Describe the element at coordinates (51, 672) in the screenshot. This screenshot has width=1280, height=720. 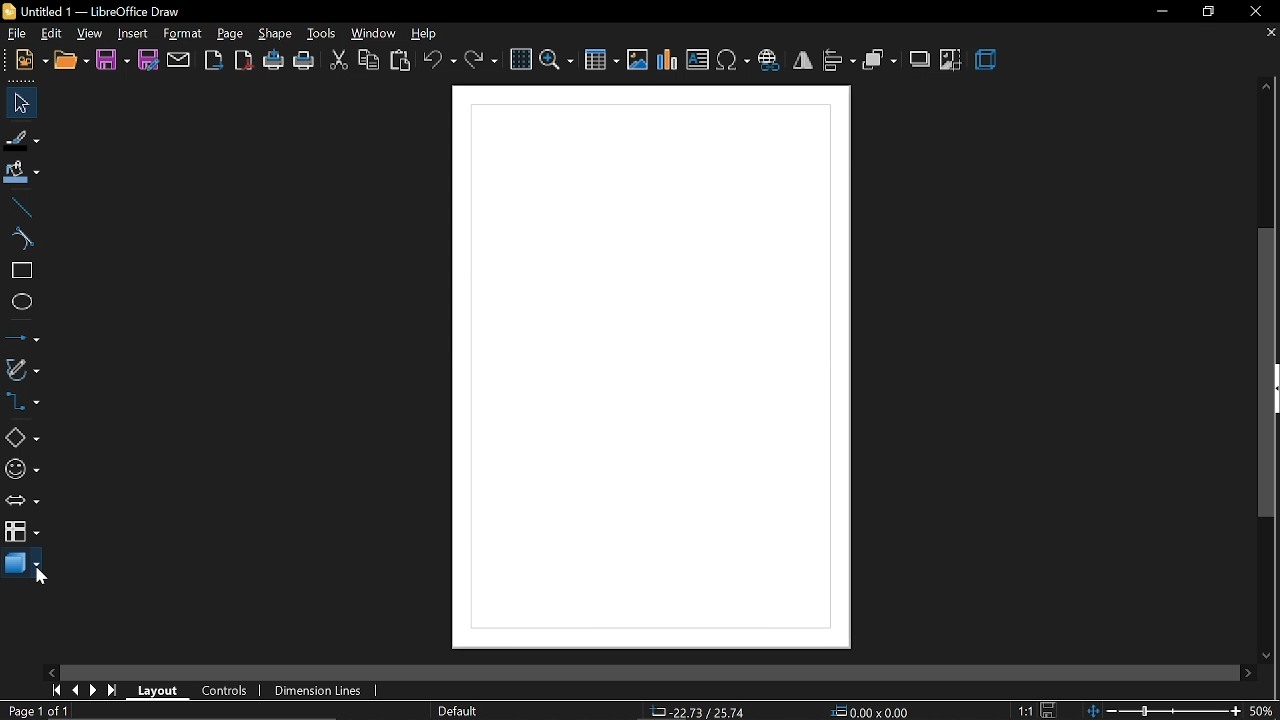
I see `move left` at that location.